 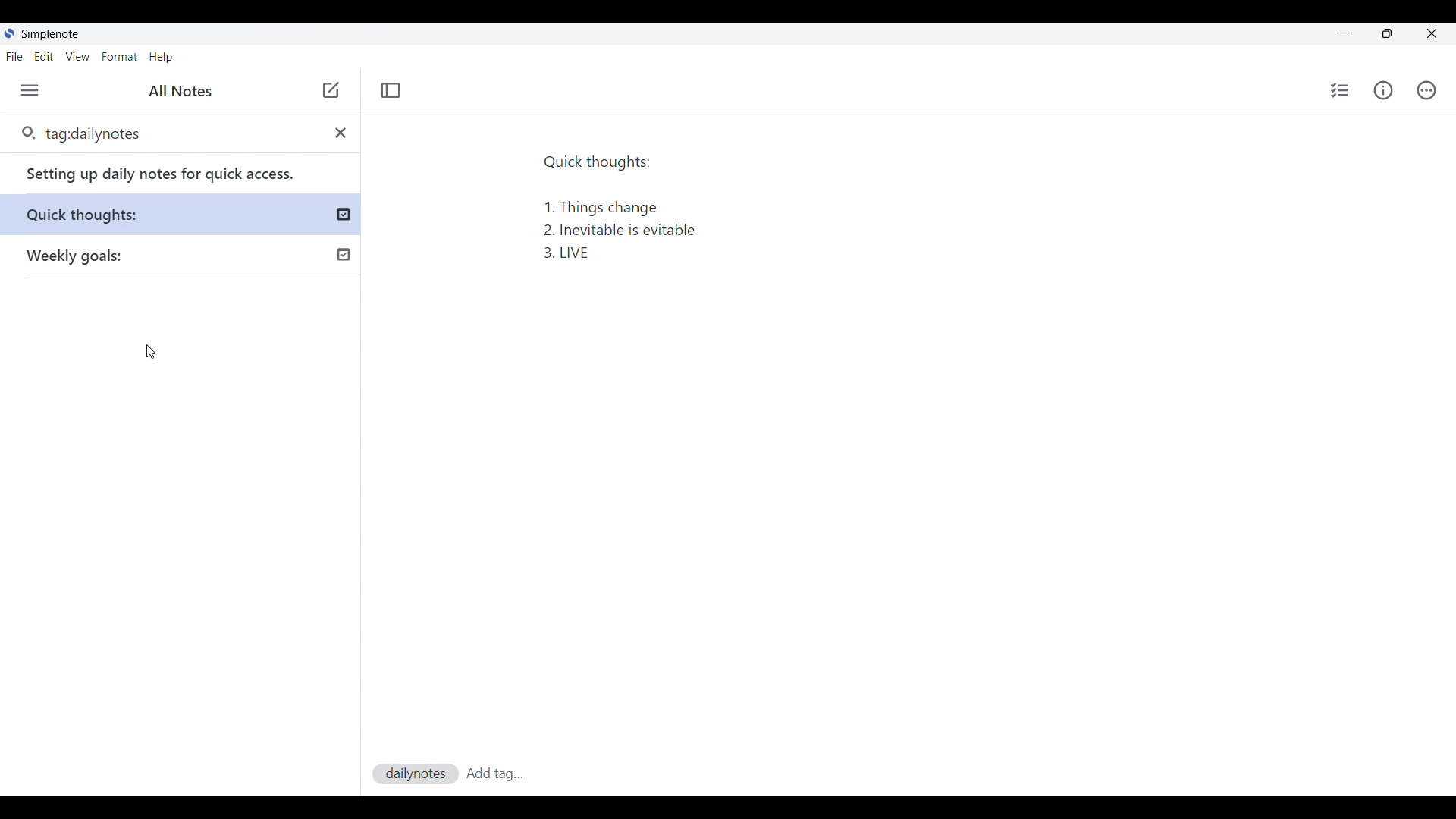 What do you see at coordinates (340, 133) in the screenshot?
I see `Delete input made` at bounding box center [340, 133].